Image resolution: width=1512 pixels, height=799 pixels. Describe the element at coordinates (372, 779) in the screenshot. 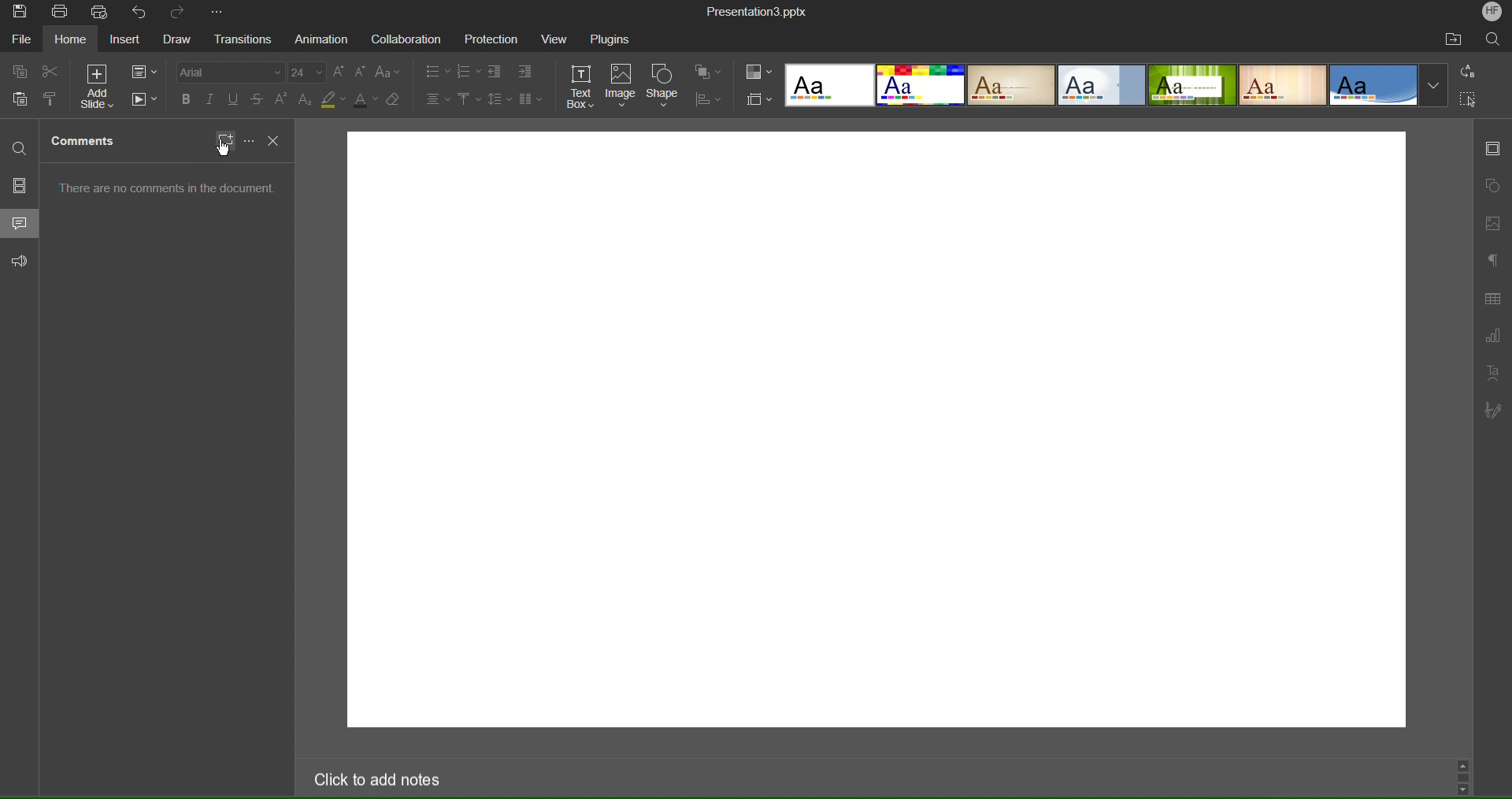

I see `Click to add notes` at that location.